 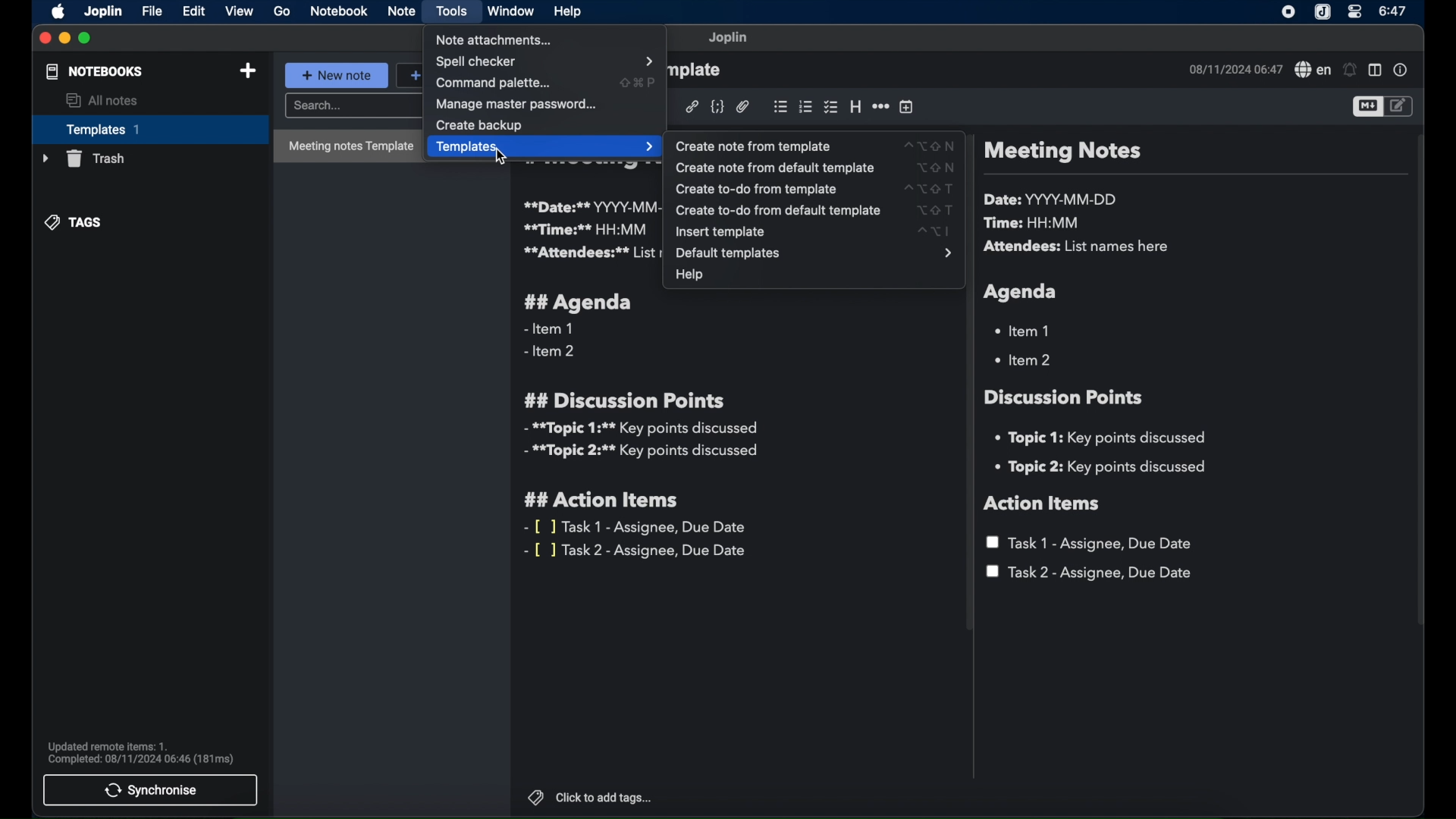 What do you see at coordinates (1349, 70) in the screenshot?
I see `set alarm` at bounding box center [1349, 70].